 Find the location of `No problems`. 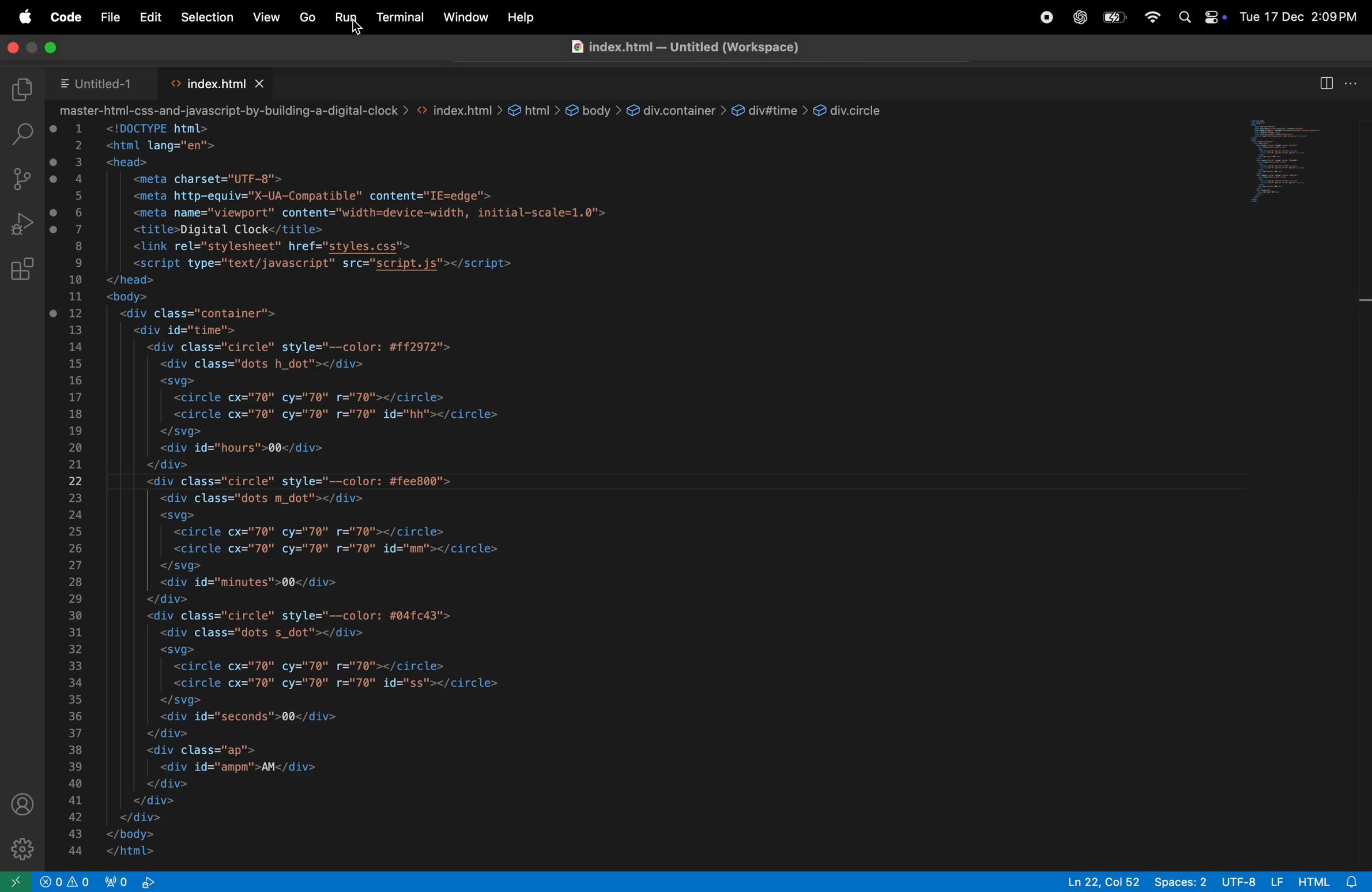

No problems is located at coordinates (50, 881).